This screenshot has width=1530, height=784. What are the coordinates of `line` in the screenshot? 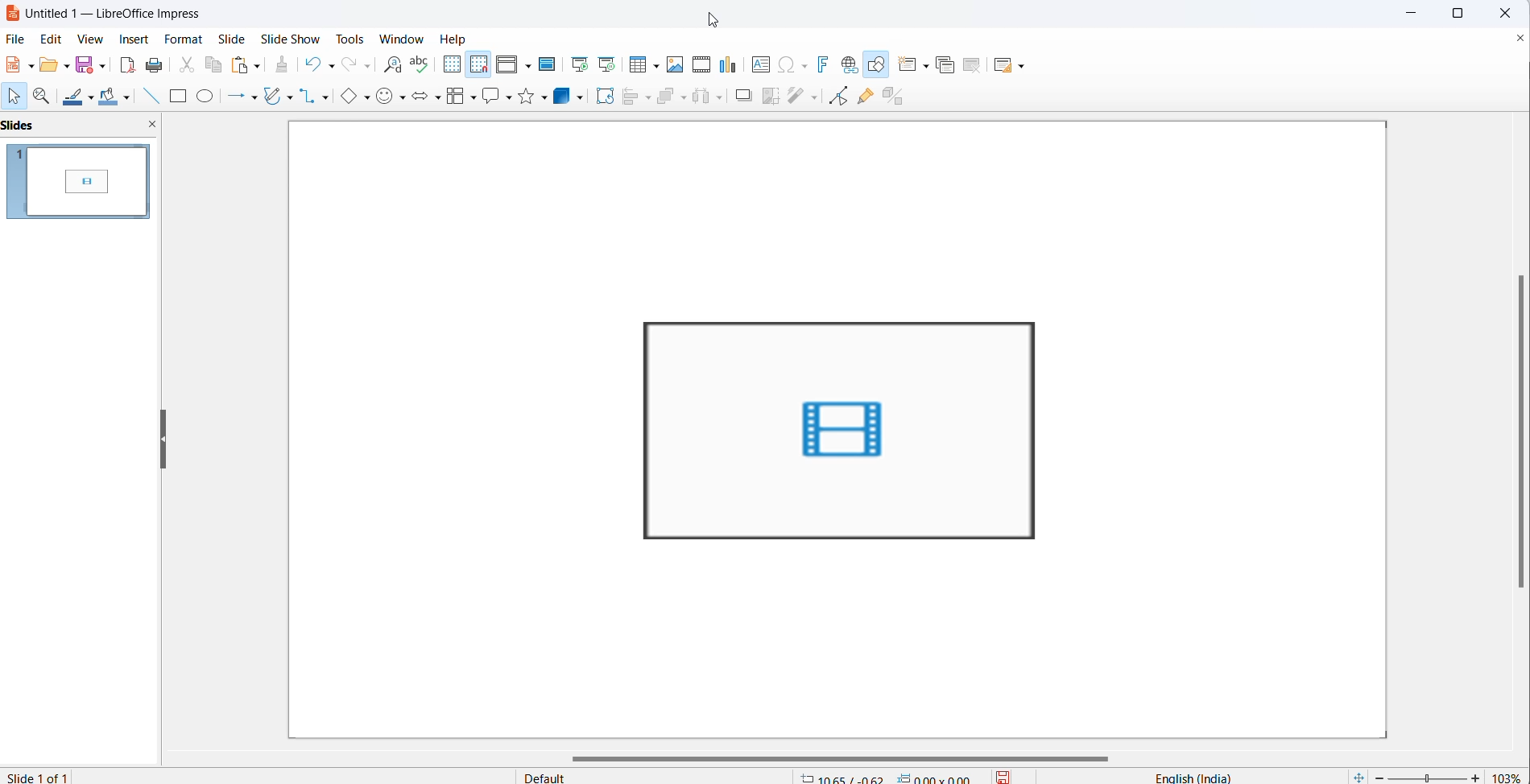 It's located at (149, 97).